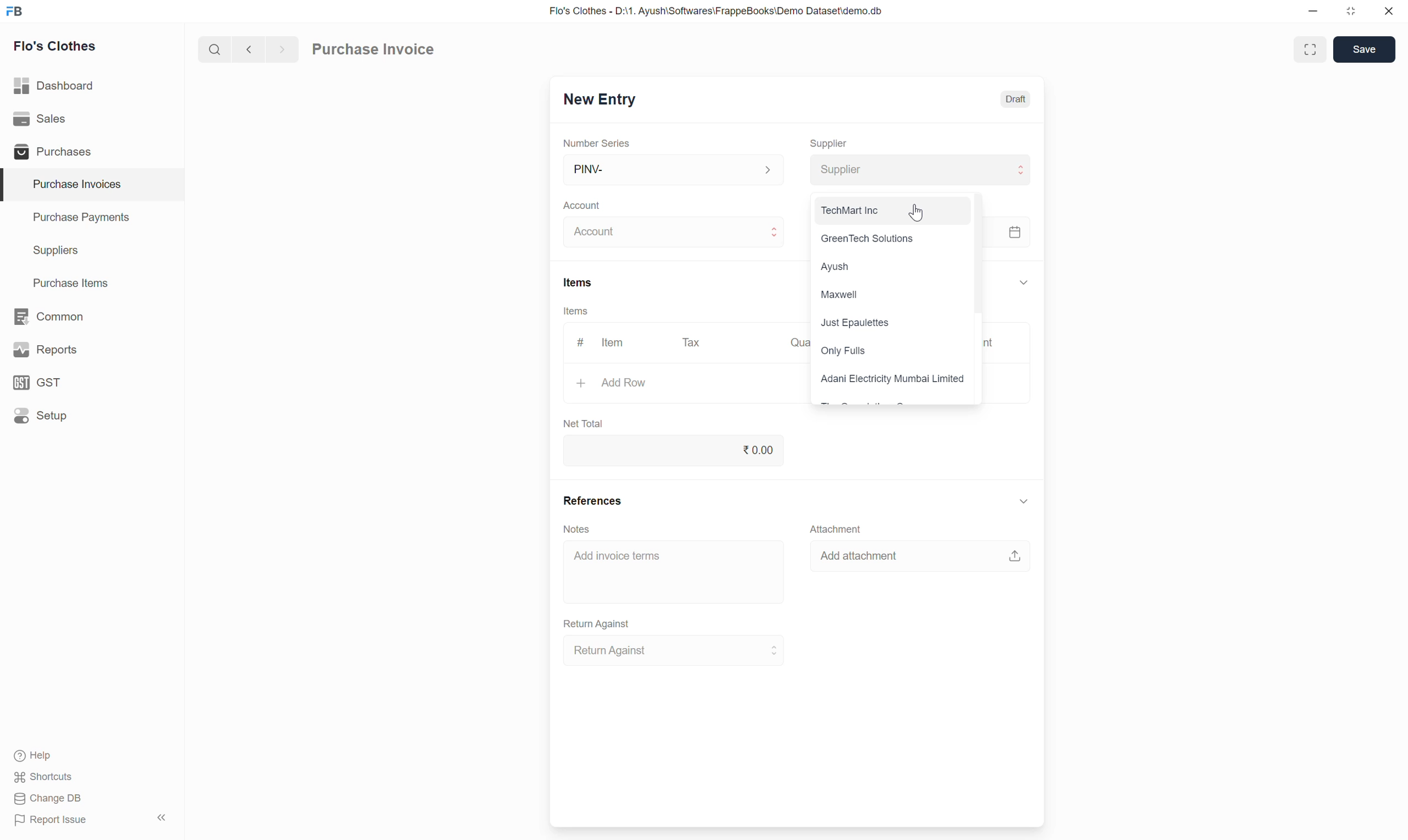  What do you see at coordinates (597, 143) in the screenshot?
I see `Number Series` at bounding box center [597, 143].